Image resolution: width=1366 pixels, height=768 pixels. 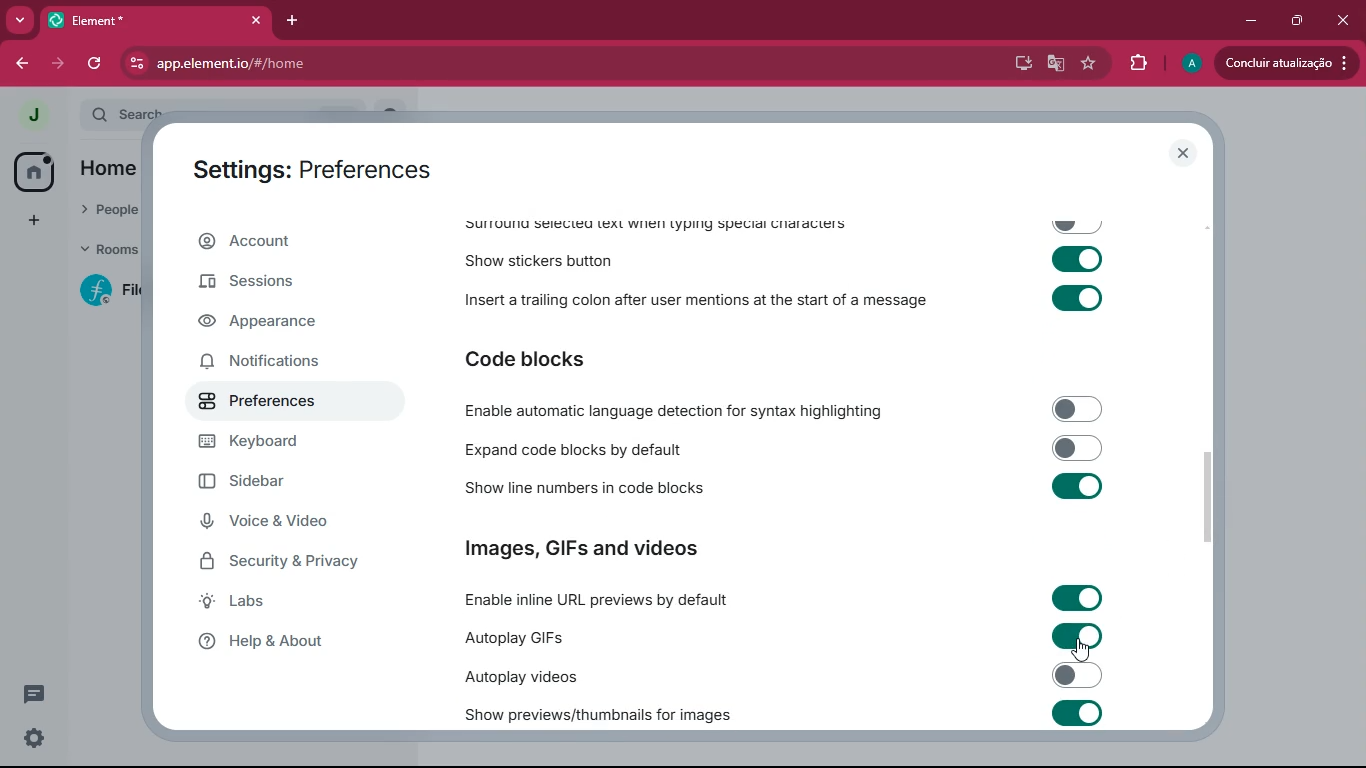 What do you see at coordinates (296, 524) in the screenshot?
I see `voice & video` at bounding box center [296, 524].